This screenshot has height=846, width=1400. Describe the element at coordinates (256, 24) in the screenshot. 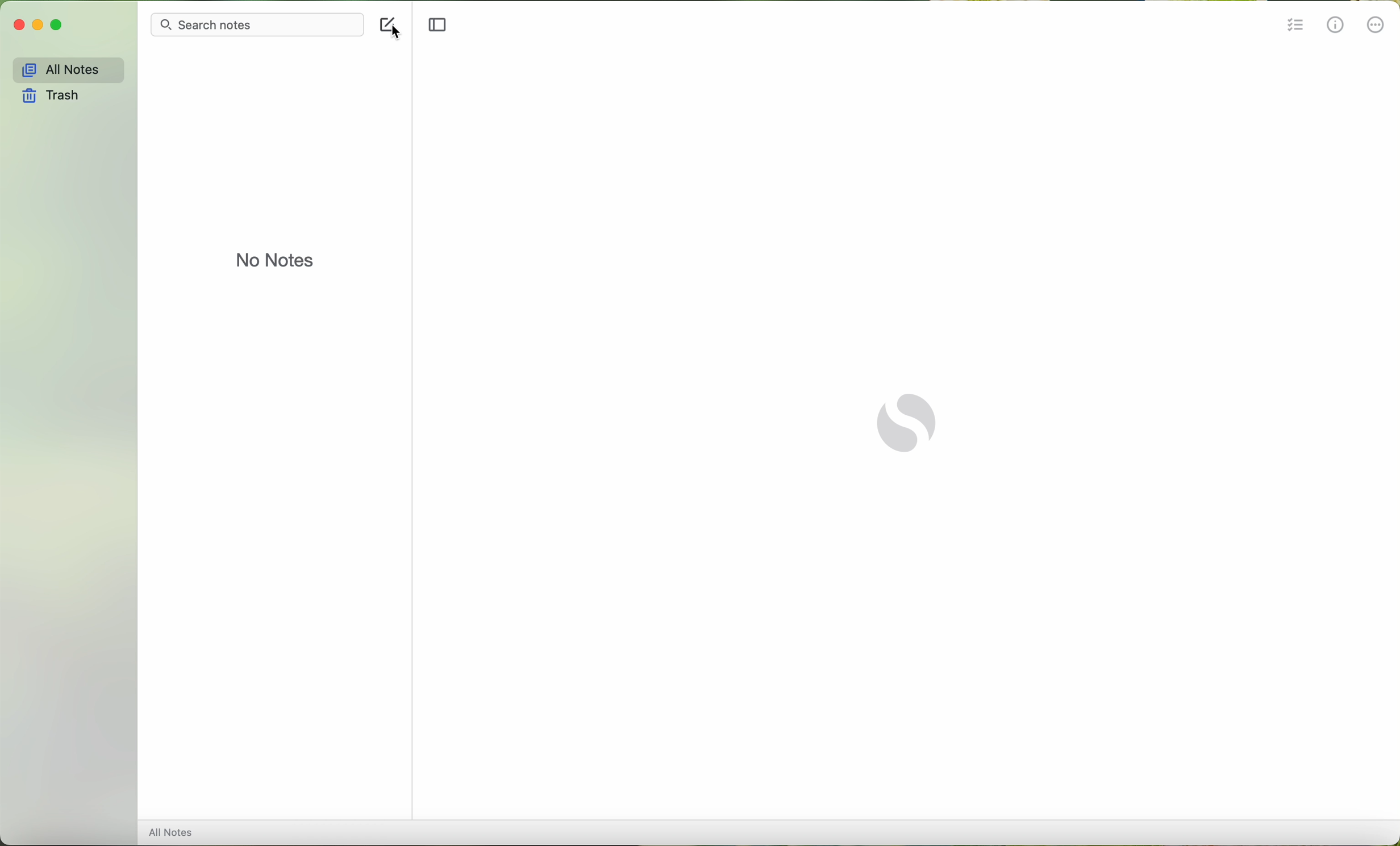

I see `search bar` at that location.